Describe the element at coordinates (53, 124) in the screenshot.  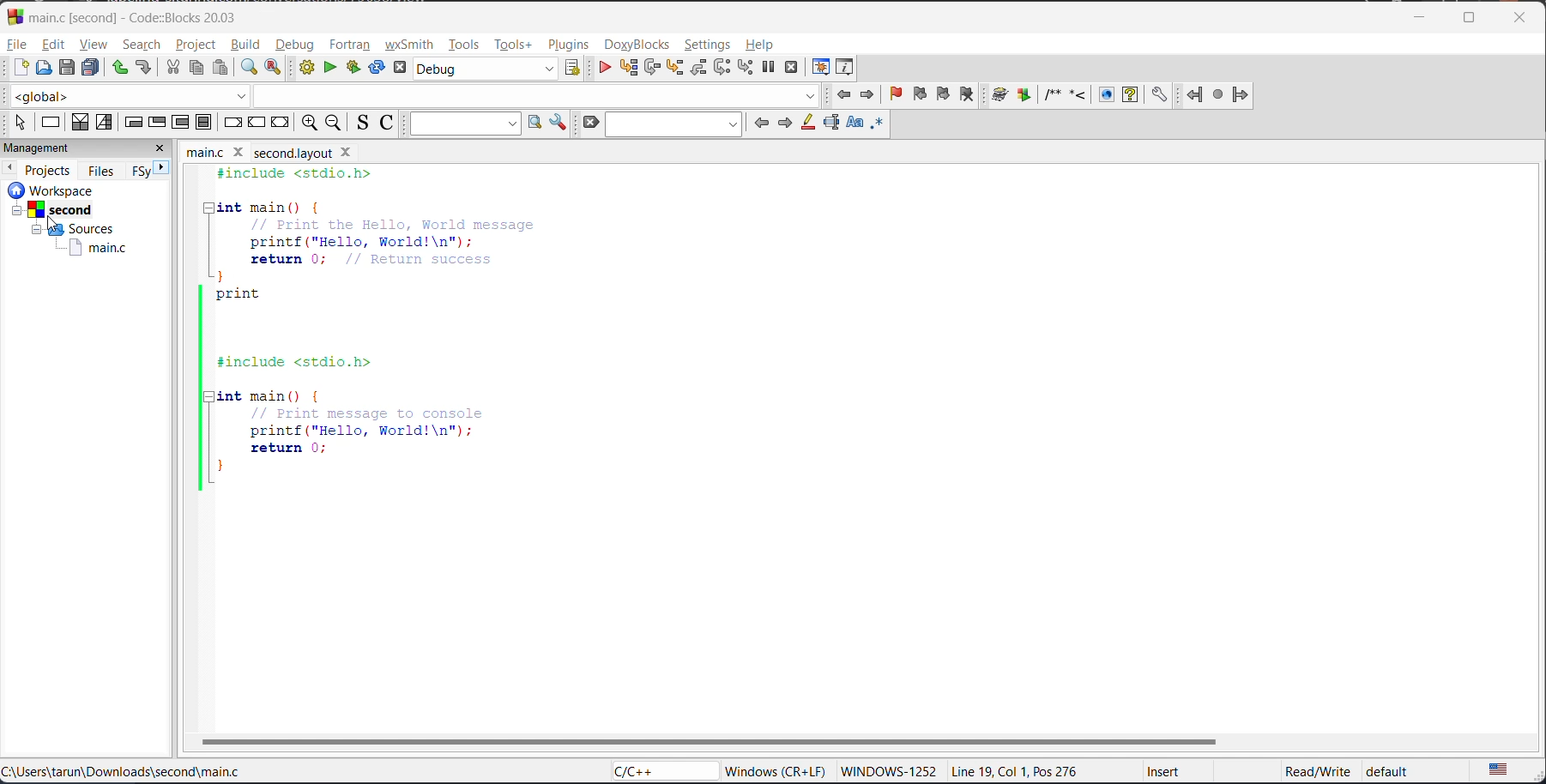
I see `instruction` at that location.